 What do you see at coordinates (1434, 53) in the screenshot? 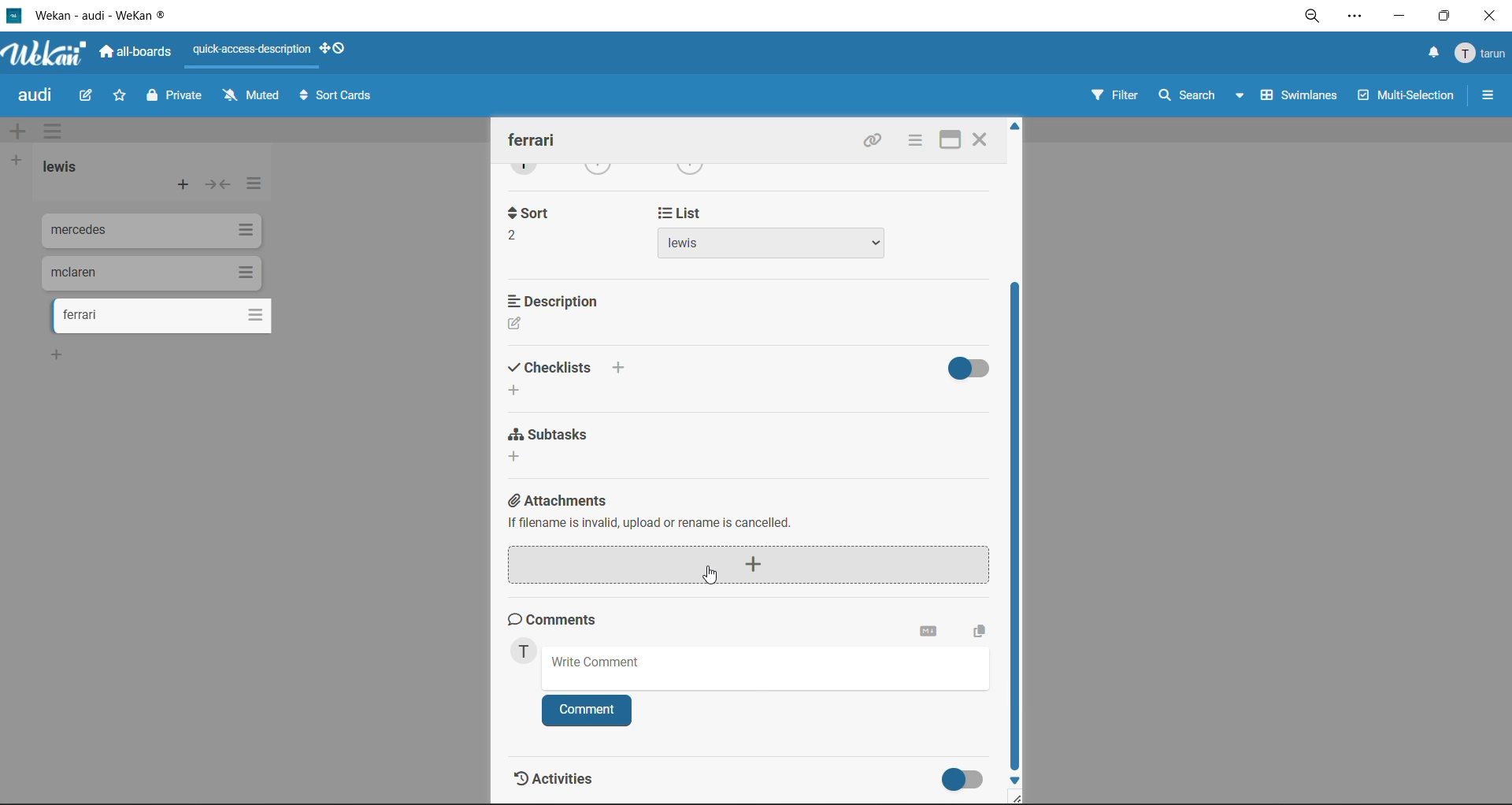
I see `notifications` at bounding box center [1434, 53].